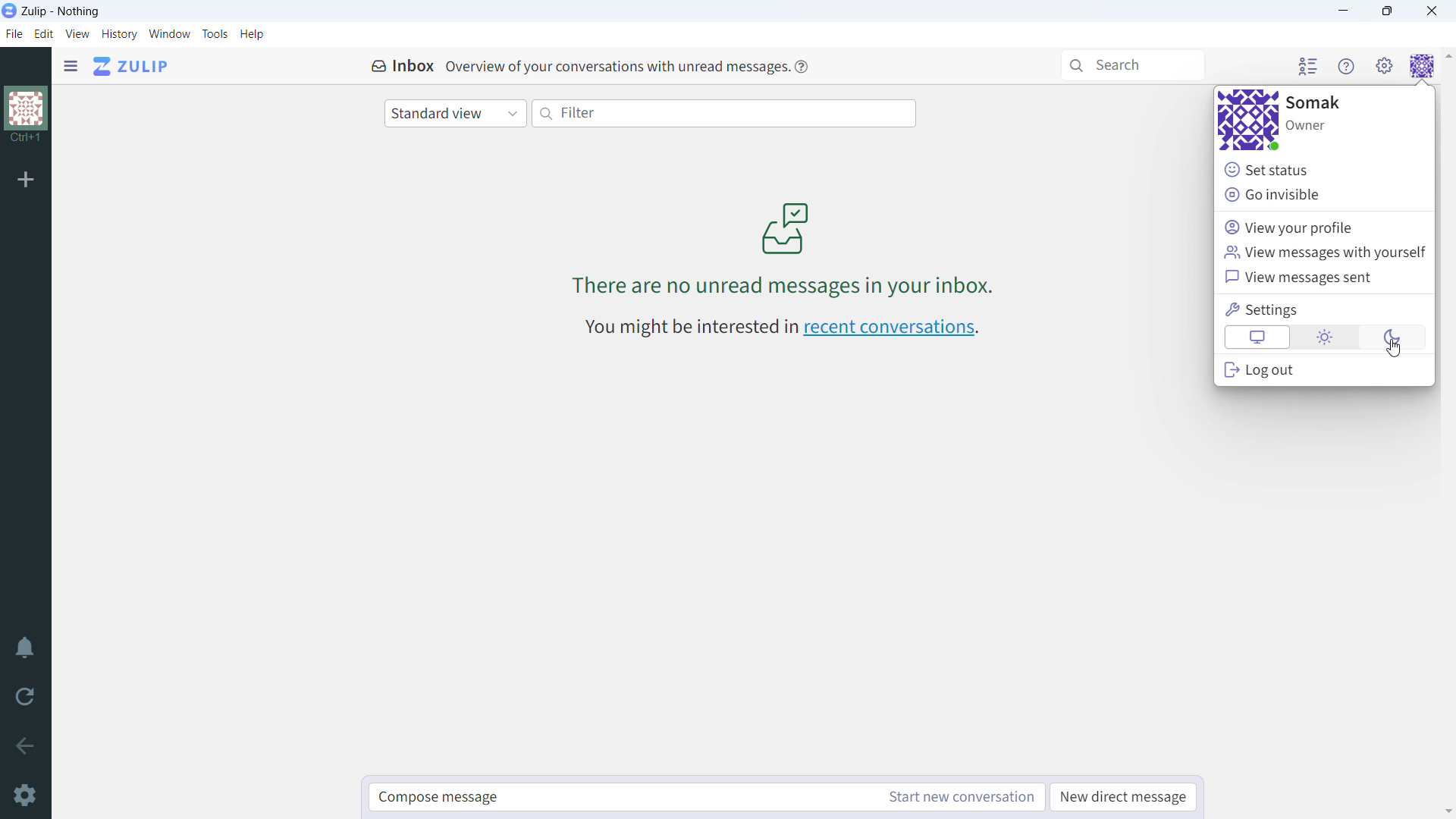  What do you see at coordinates (573, 67) in the screenshot?
I see `inbox overview of your conversation with unread messages` at bounding box center [573, 67].